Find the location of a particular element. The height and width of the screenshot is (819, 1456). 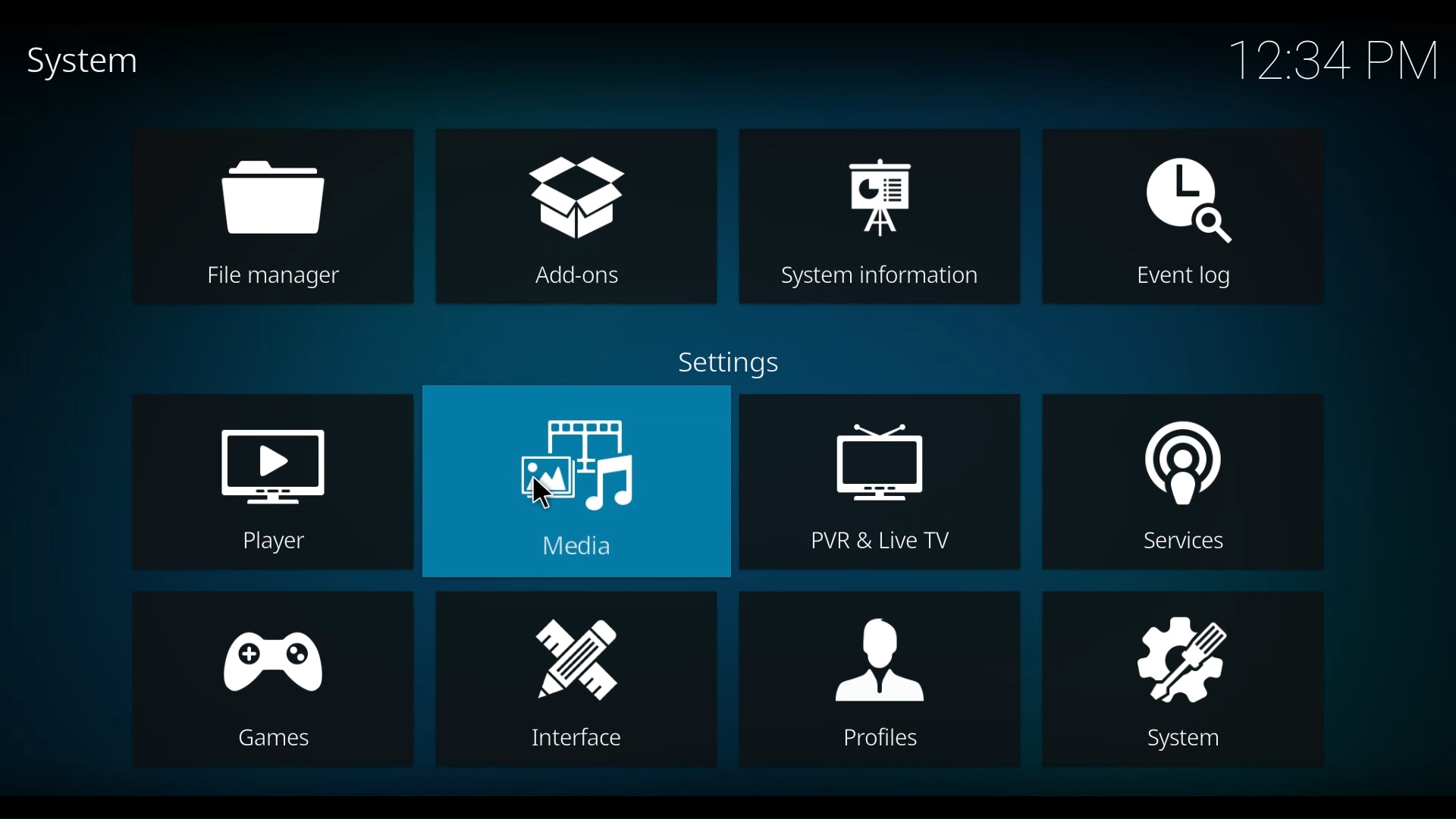

Add-ons is located at coordinates (579, 216).